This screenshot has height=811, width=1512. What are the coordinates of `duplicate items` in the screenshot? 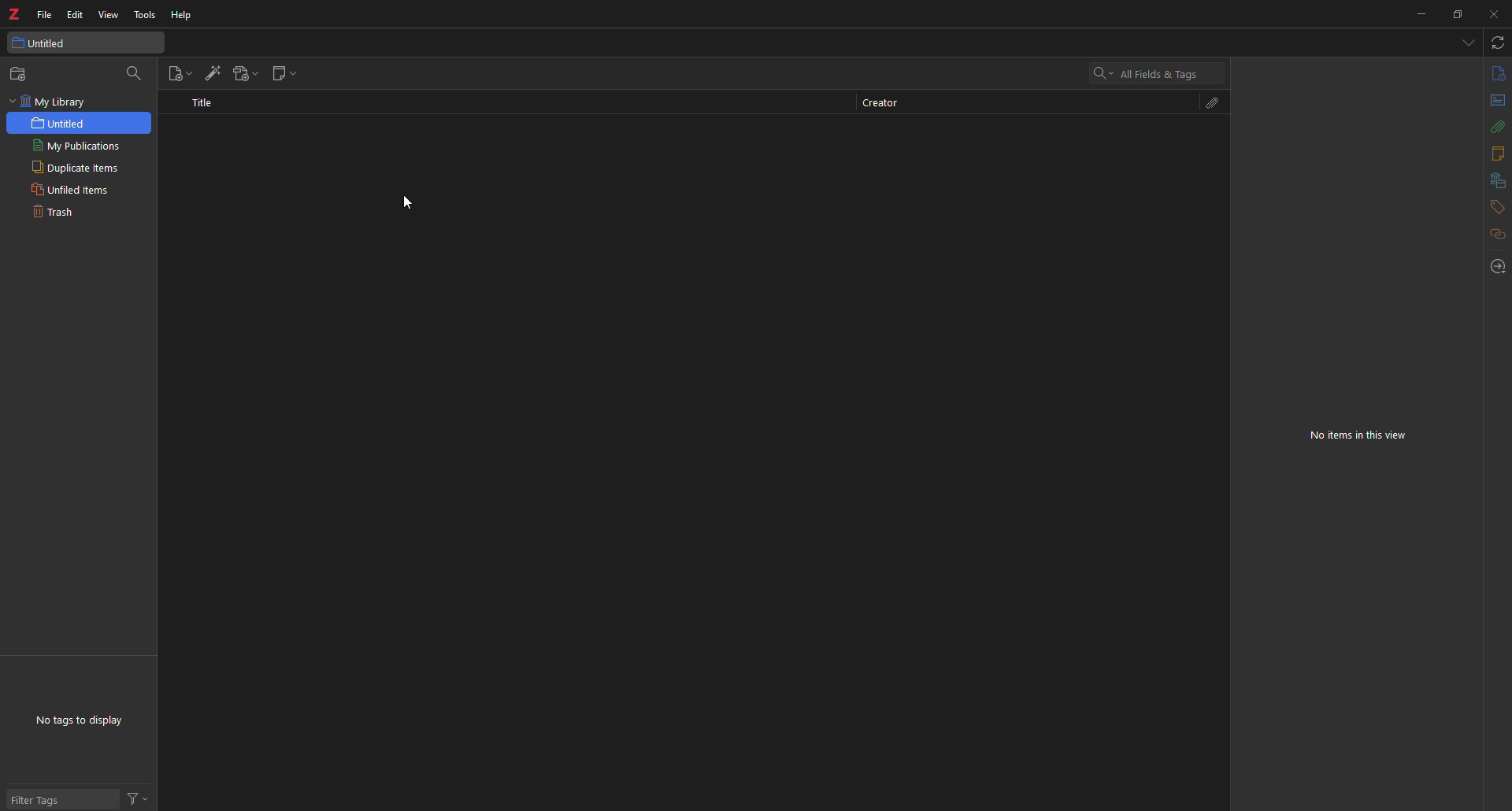 It's located at (73, 168).